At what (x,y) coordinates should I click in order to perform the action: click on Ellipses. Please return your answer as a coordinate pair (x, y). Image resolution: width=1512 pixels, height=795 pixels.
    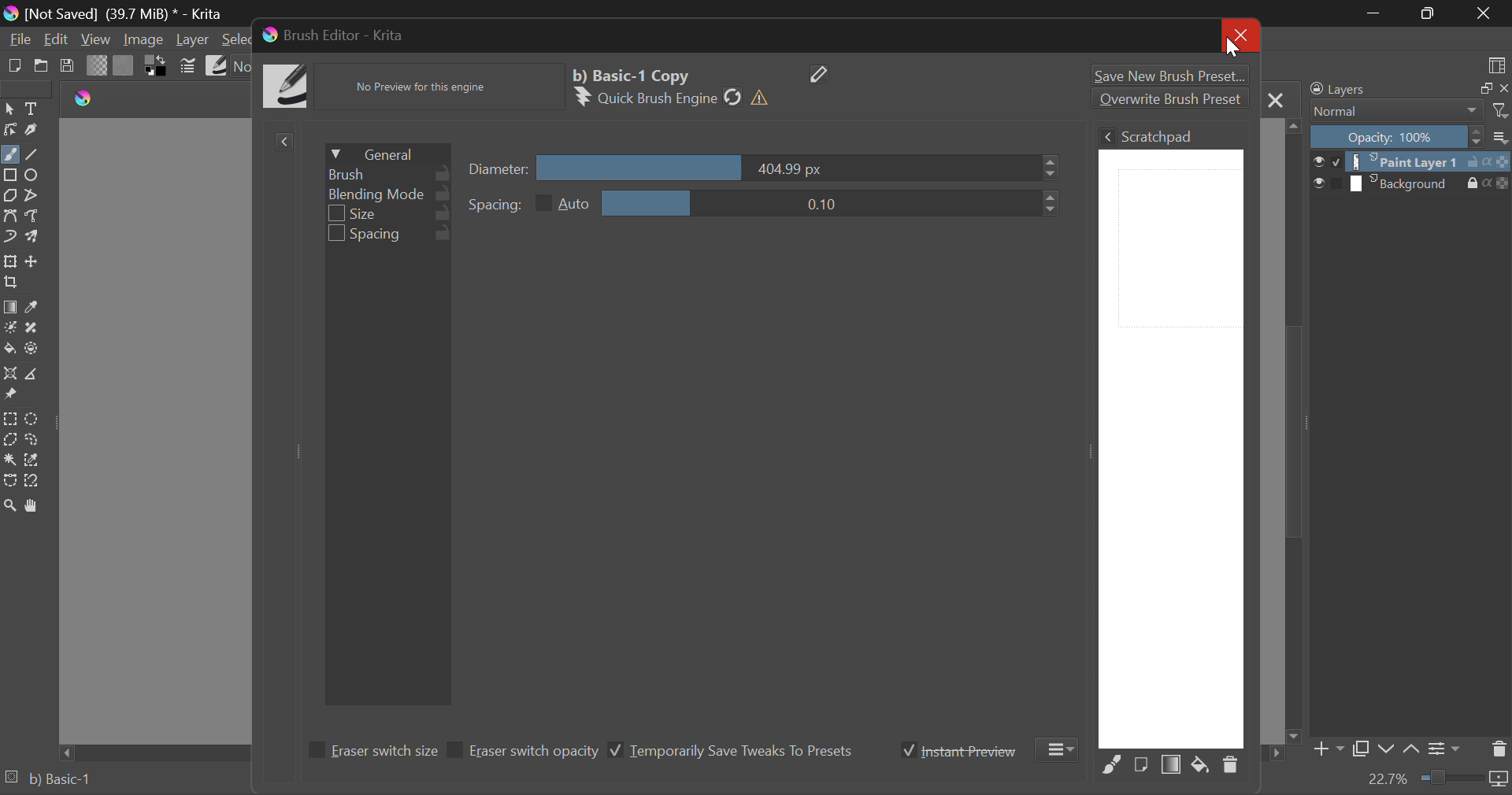
    Looking at the image, I should click on (34, 176).